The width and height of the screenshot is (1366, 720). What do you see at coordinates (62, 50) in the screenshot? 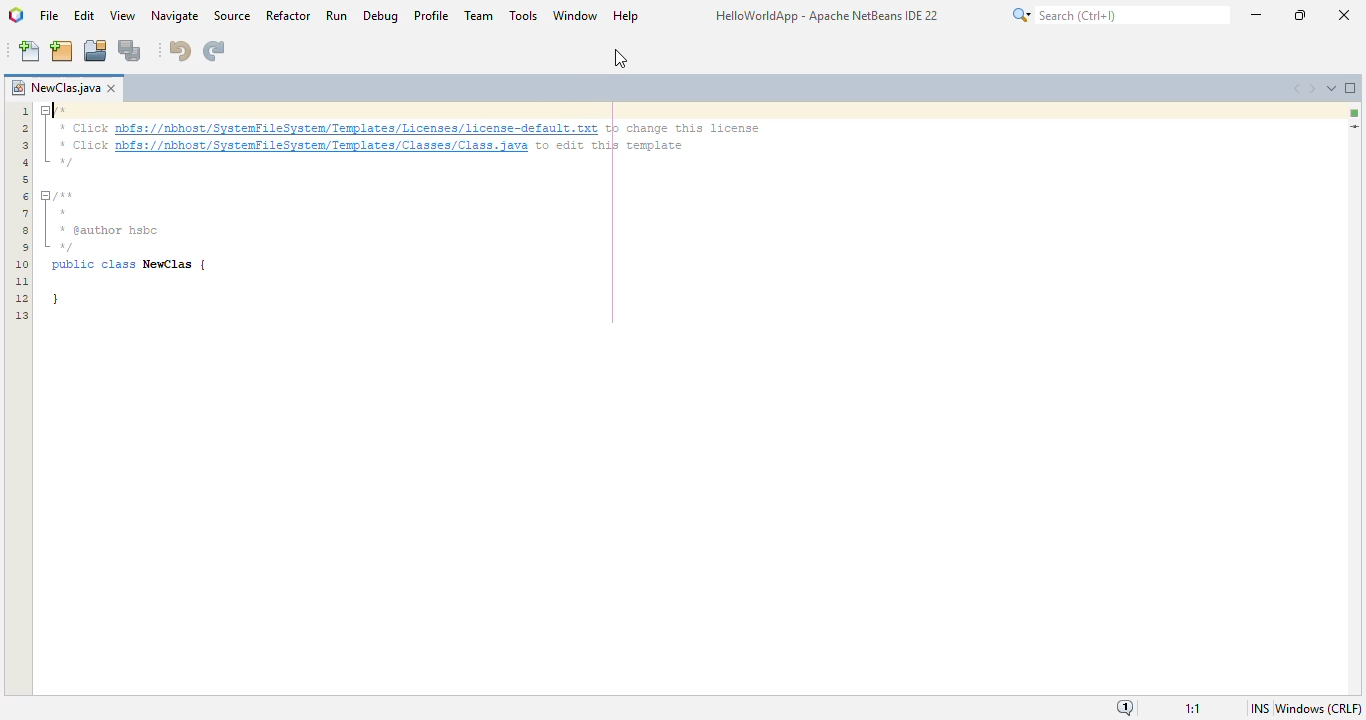
I see `new project` at bounding box center [62, 50].